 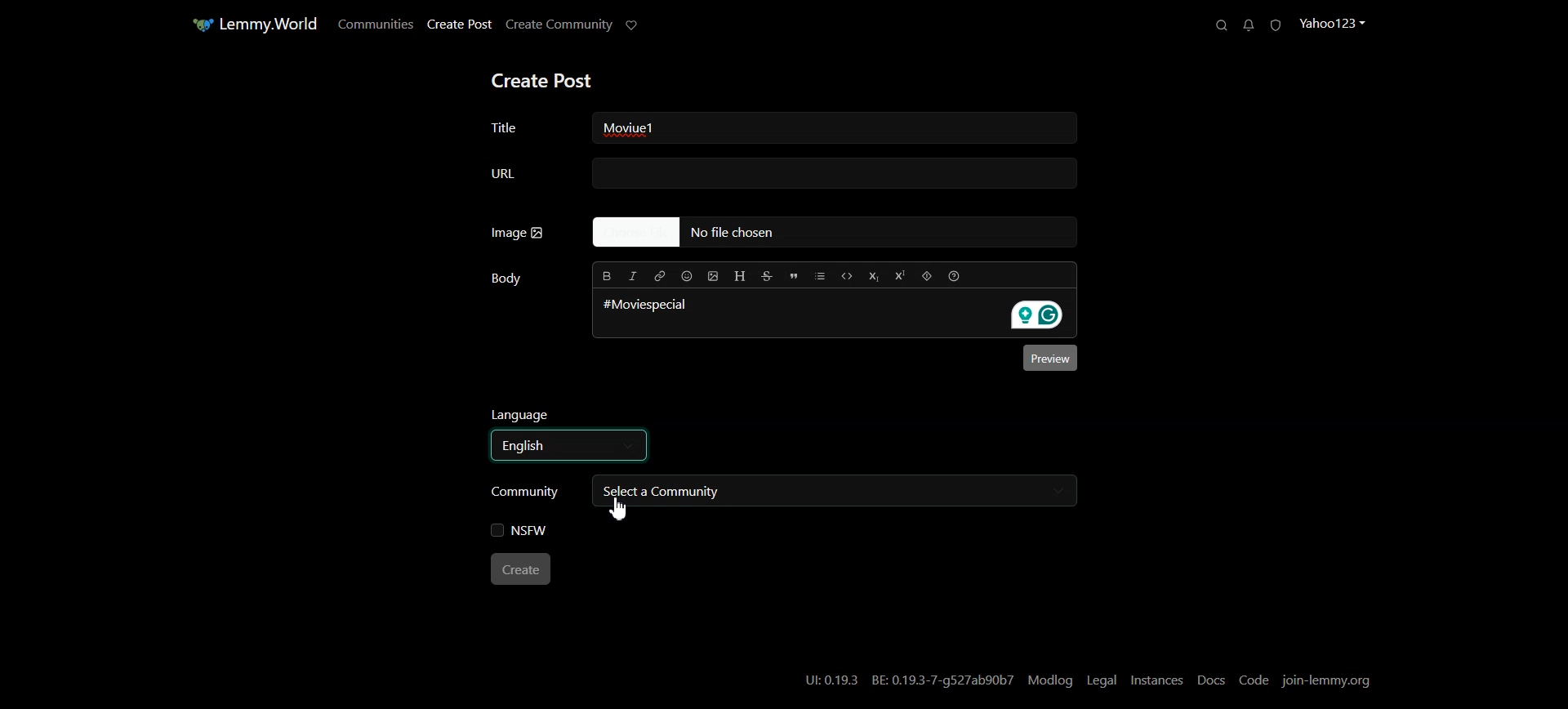 I want to click on Image, so click(x=518, y=233).